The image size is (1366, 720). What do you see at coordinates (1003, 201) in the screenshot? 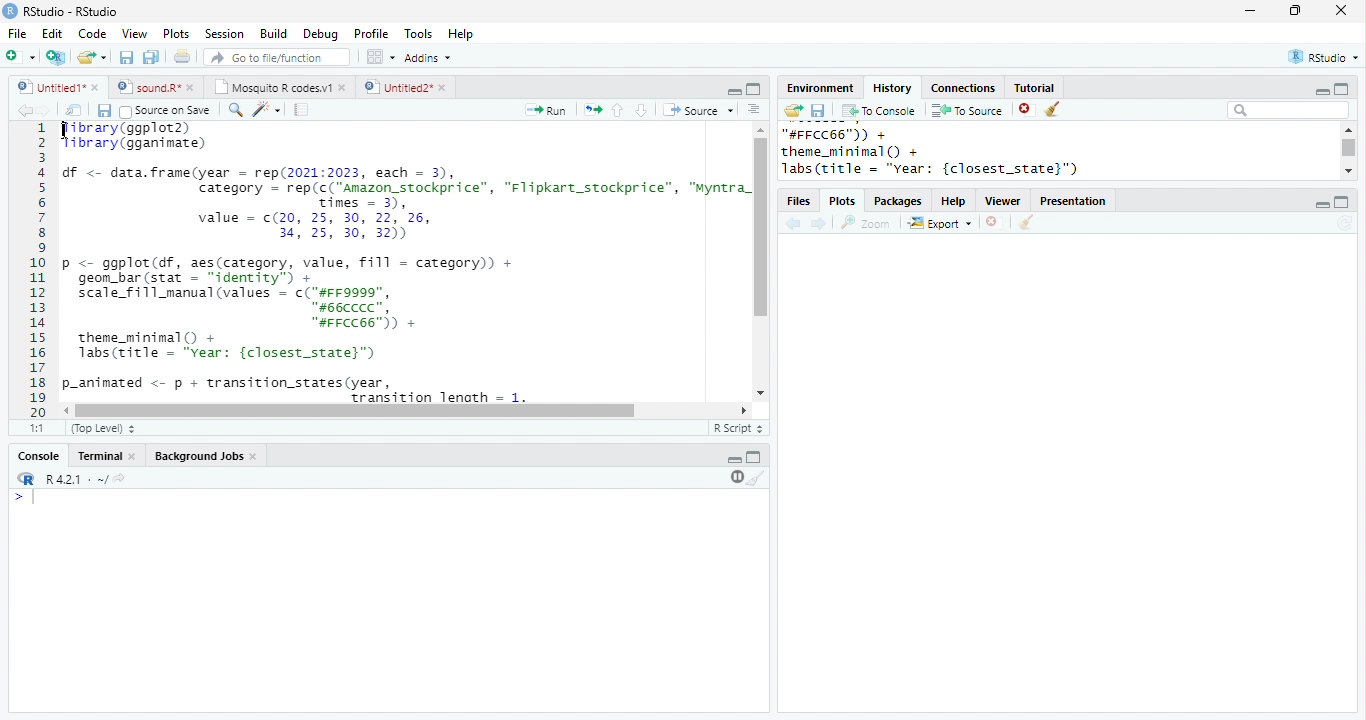
I see `Viewer` at bounding box center [1003, 201].